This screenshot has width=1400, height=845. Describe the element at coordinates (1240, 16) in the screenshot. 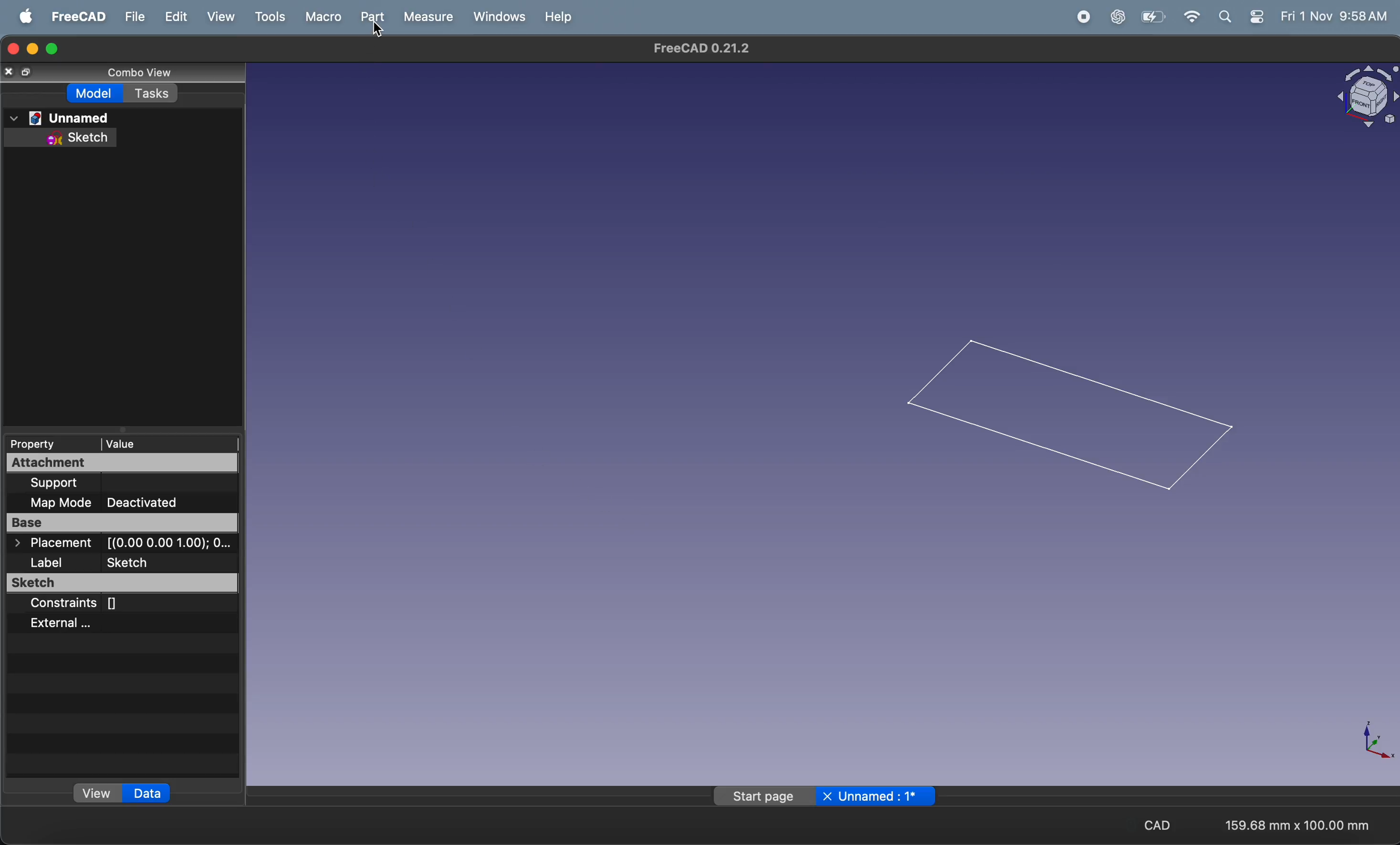

I see `apple widgets` at that location.